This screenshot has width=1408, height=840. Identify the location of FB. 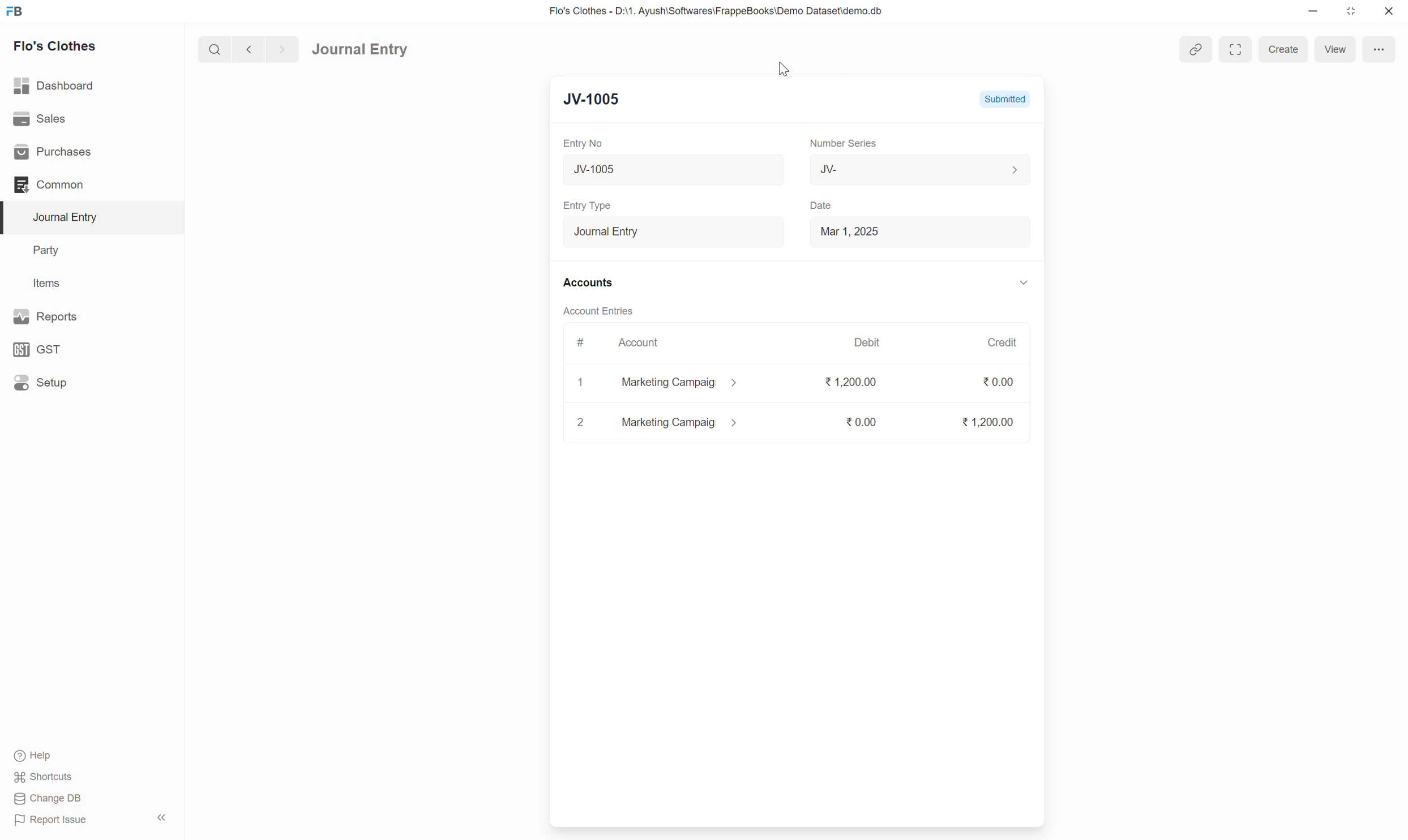
(15, 11).